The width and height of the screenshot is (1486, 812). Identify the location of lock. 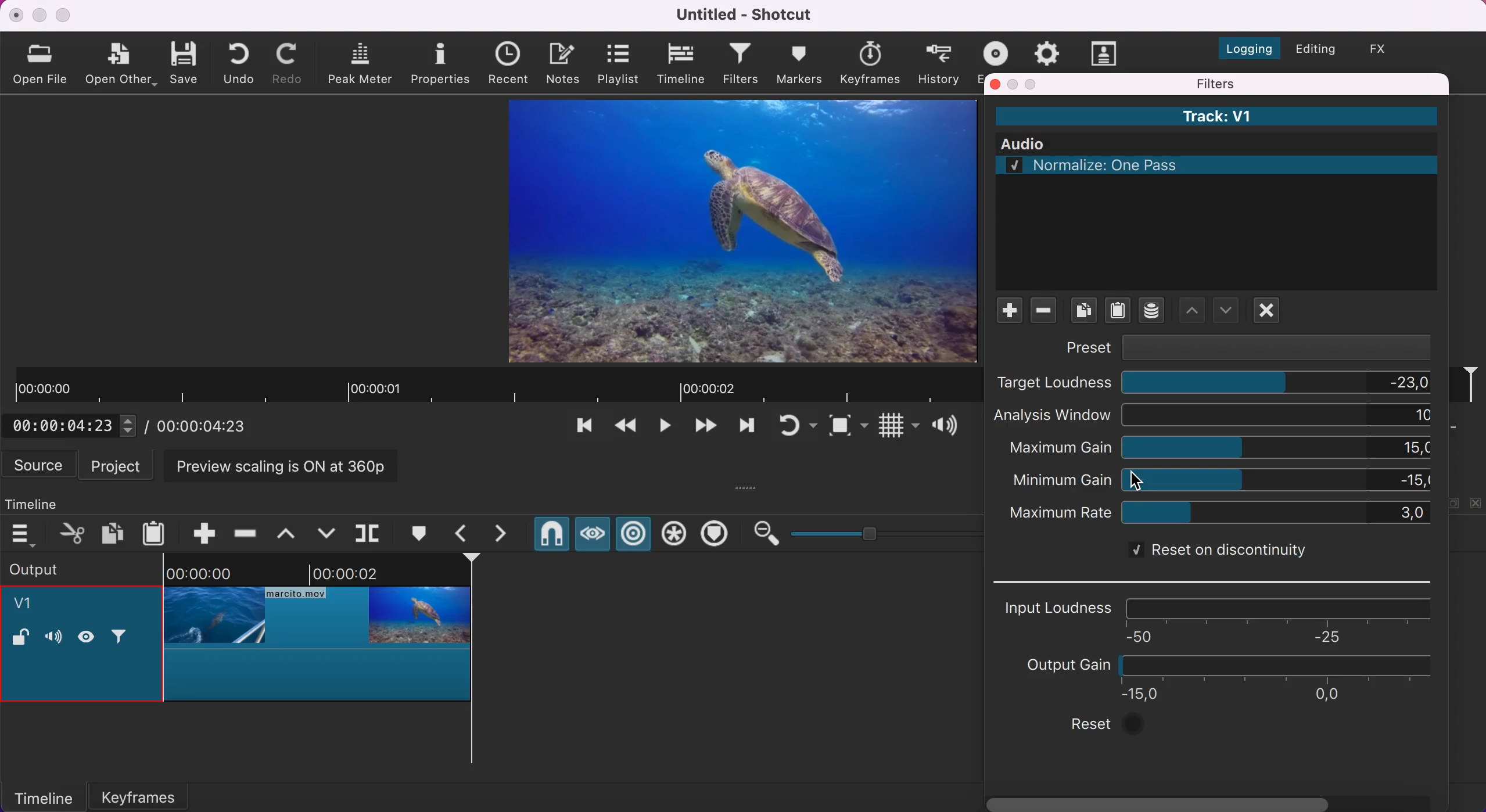
(20, 639).